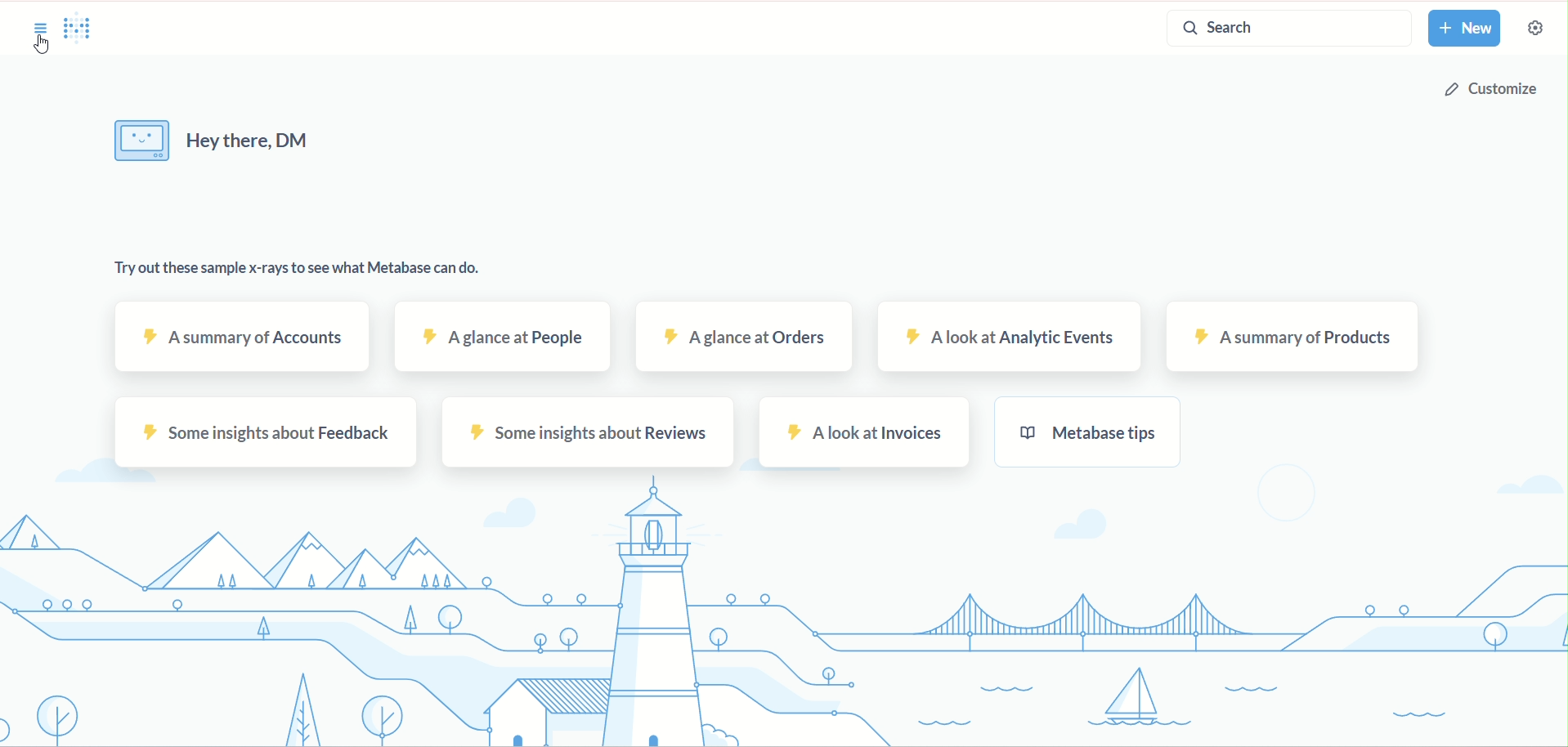 This screenshot has height=747, width=1568. What do you see at coordinates (40, 30) in the screenshot?
I see `sidebar` at bounding box center [40, 30].